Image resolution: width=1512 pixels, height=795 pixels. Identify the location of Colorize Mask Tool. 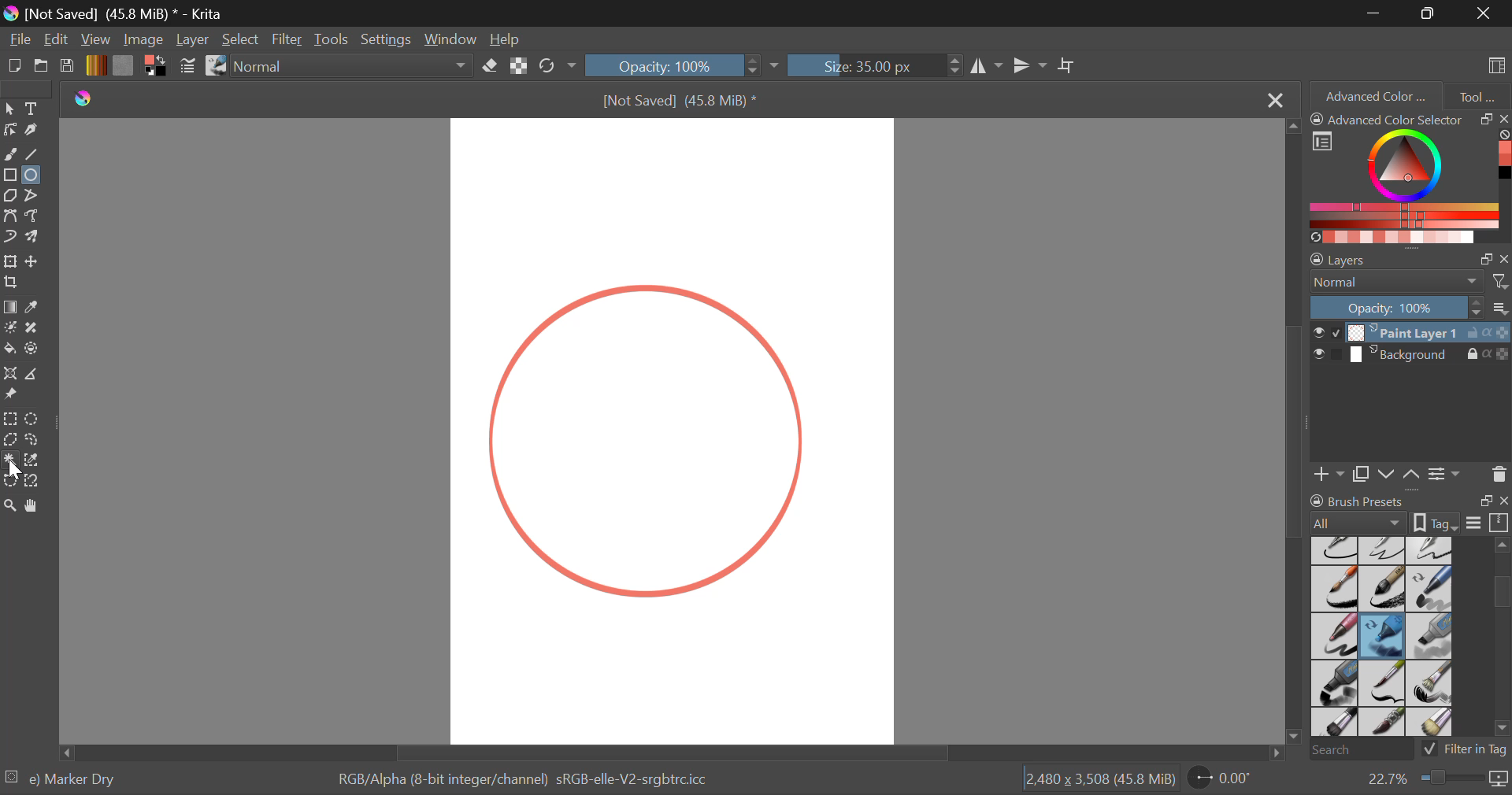
(11, 329).